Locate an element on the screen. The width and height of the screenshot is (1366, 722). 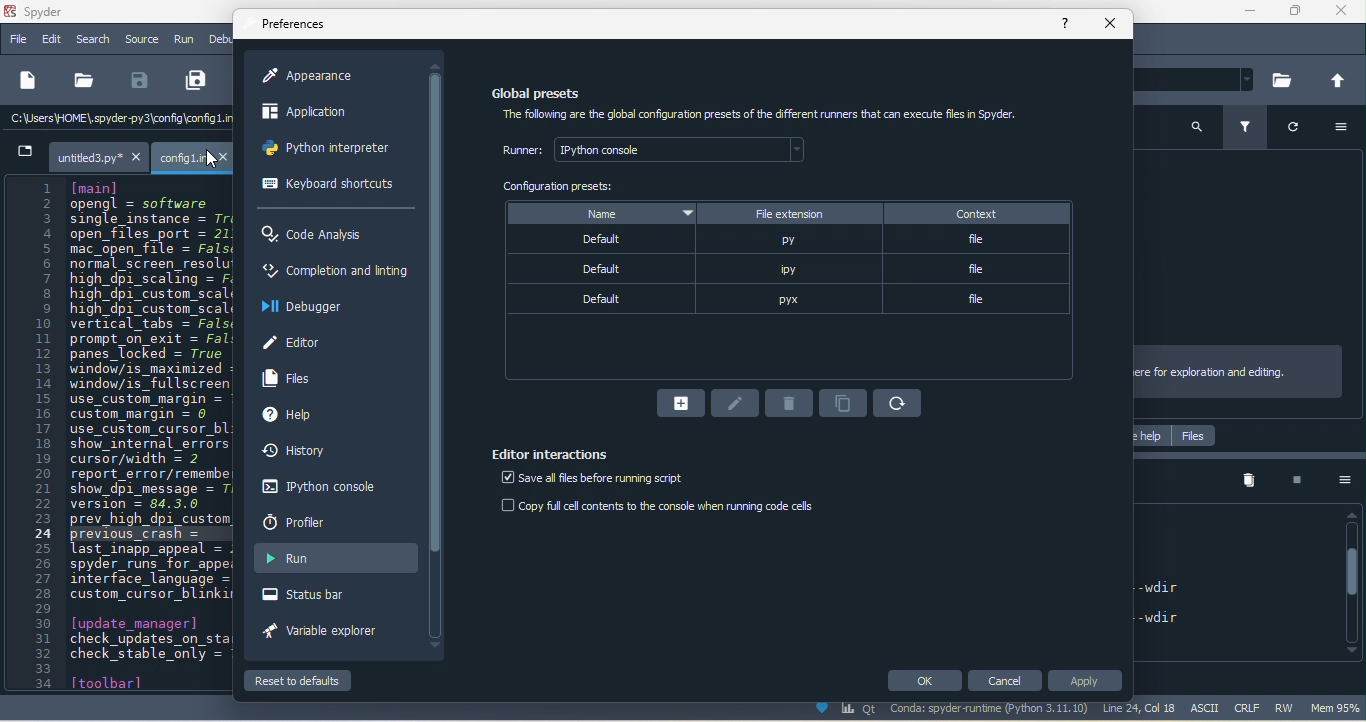
close is located at coordinates (1109, 25).